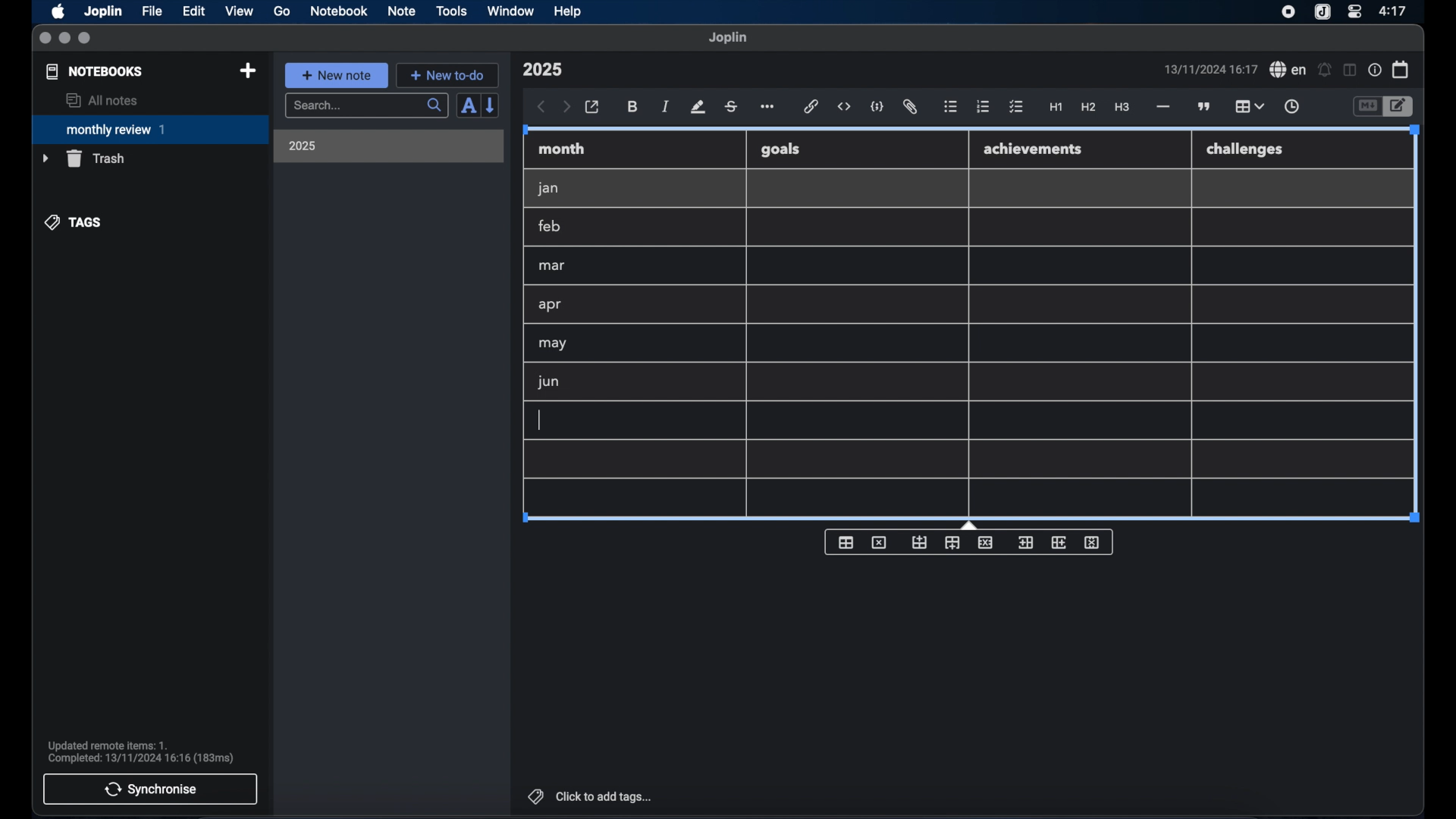 The image size is (1456, 819). I want to click on search bar, so click(366, 107).